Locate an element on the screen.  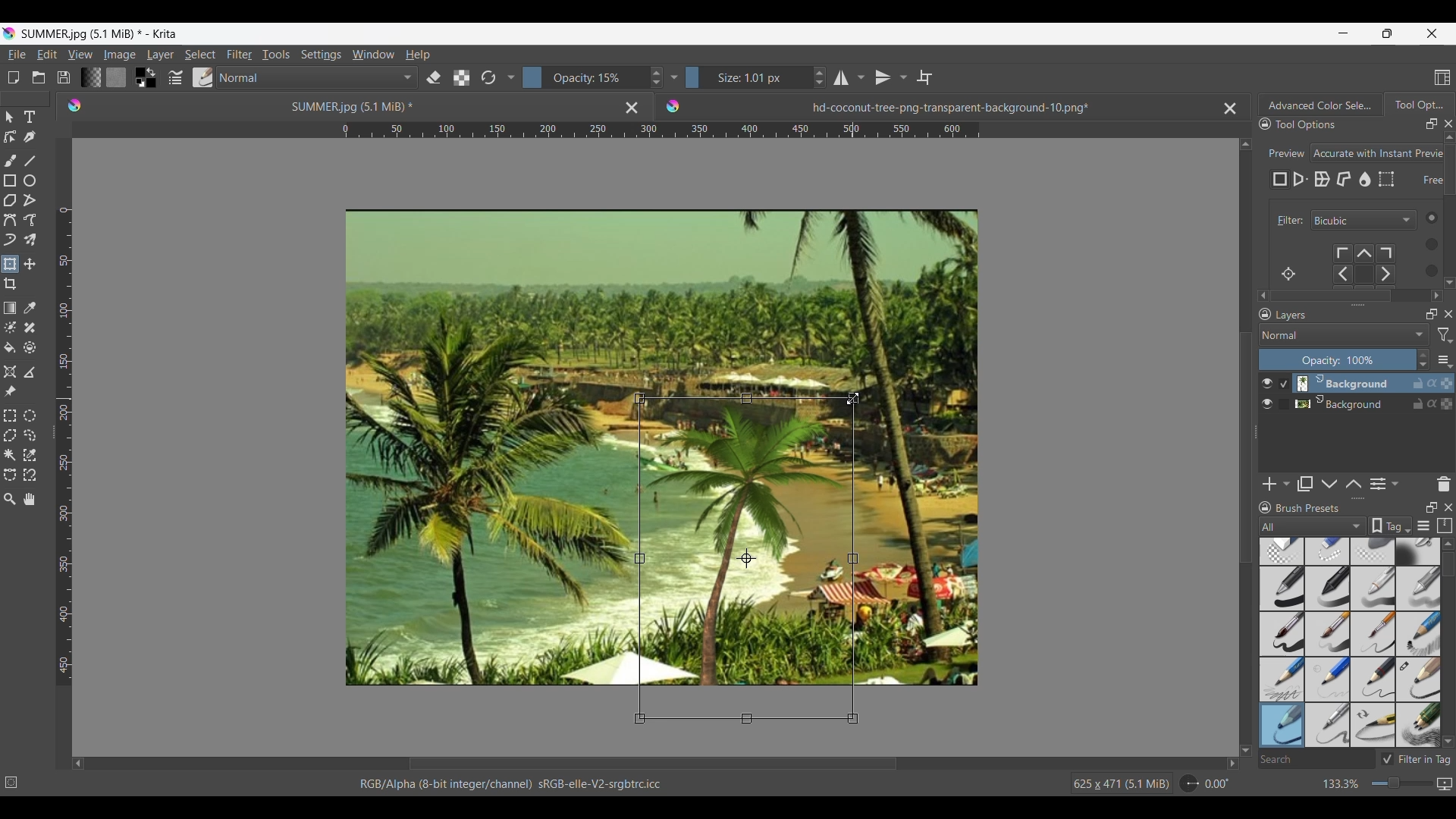
Consolidated toolbar is located at coordinates (510, 77).